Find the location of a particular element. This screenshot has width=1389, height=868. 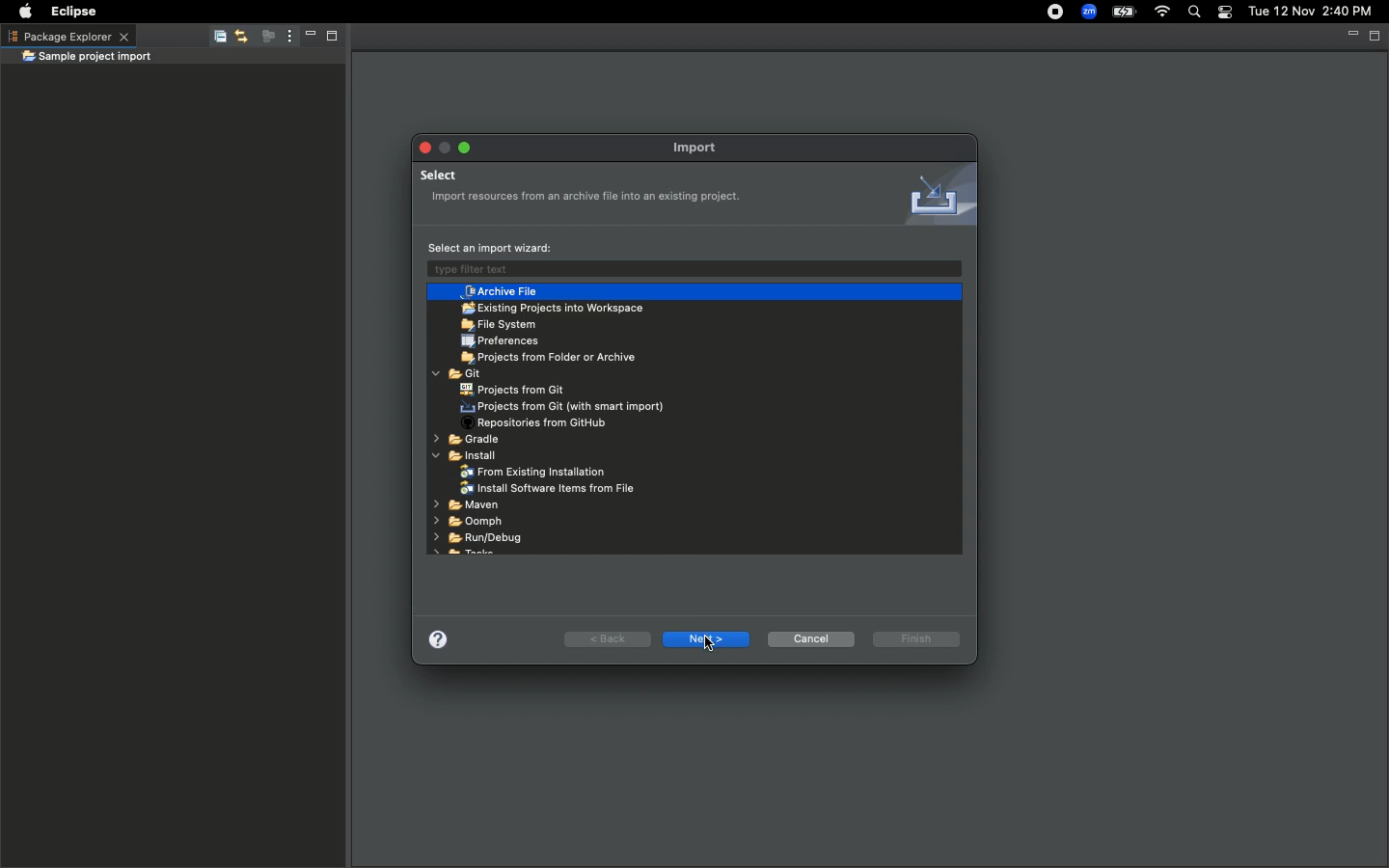

Type filter text is located at coordinates (582, 270).